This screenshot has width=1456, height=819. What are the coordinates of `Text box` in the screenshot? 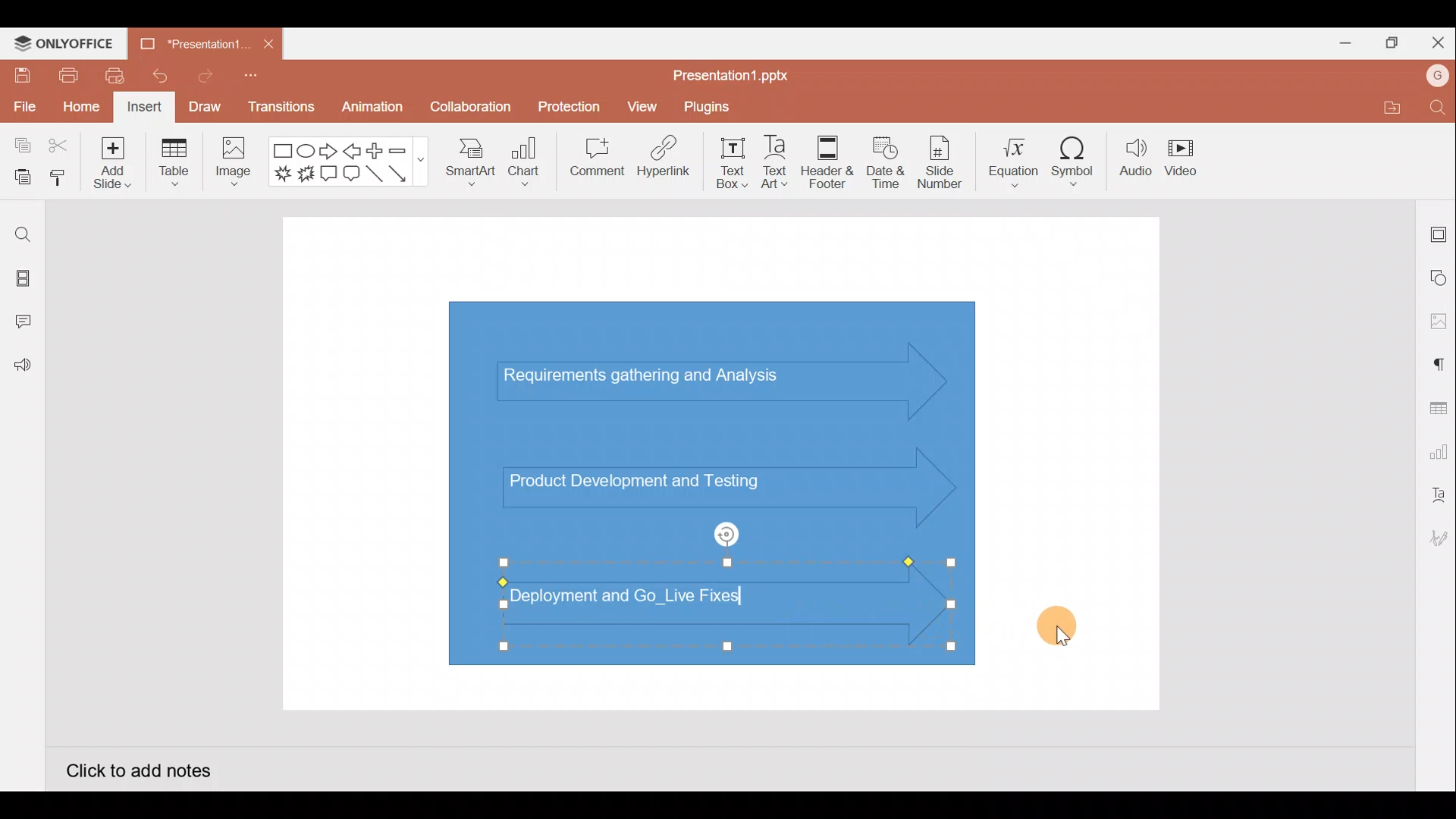 It's located at (733, 163).